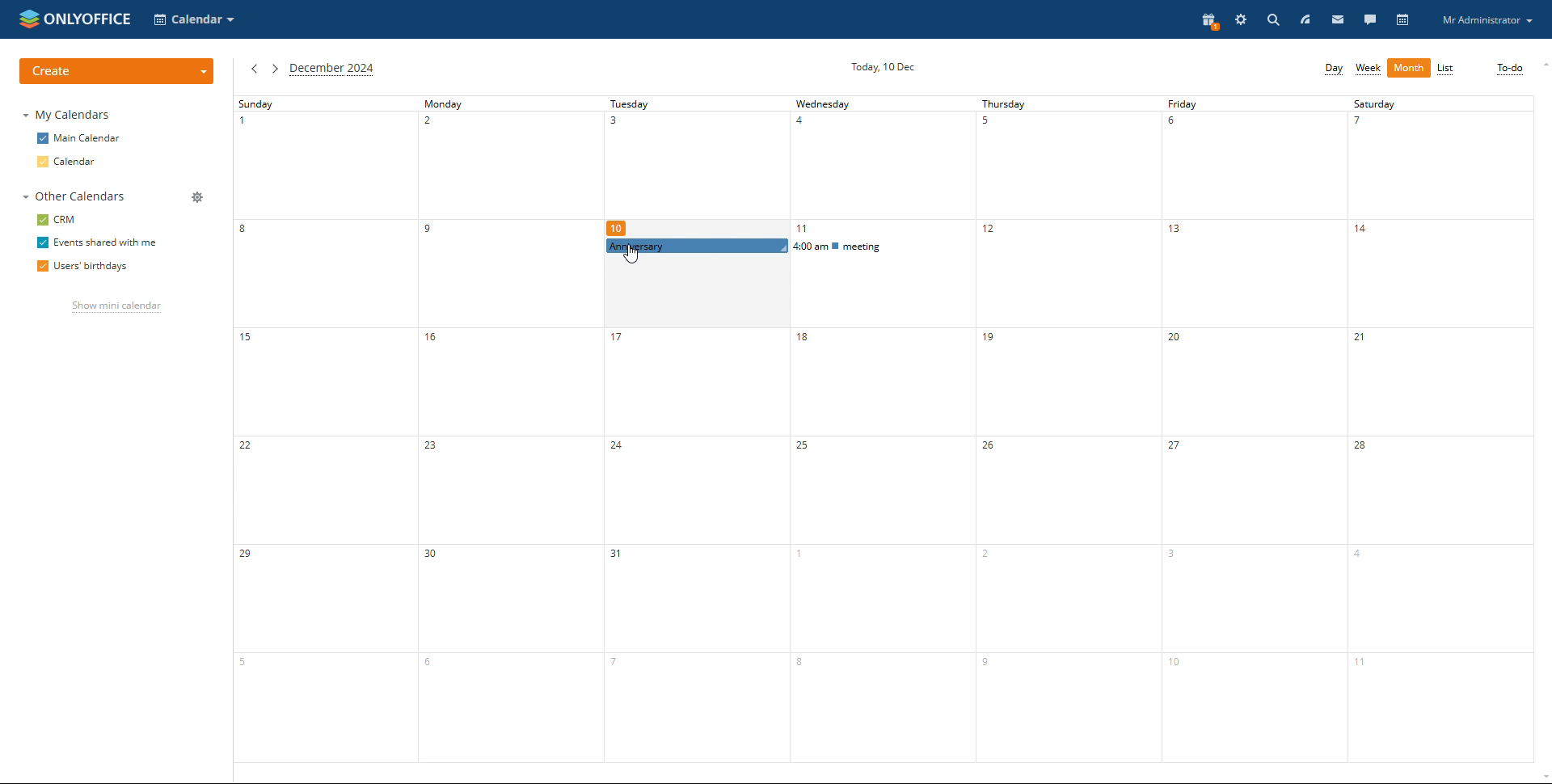  What do you see at coordinates (95, 243) in the screenshot?
I see `events shared with me` at bounding box center [95, 243].